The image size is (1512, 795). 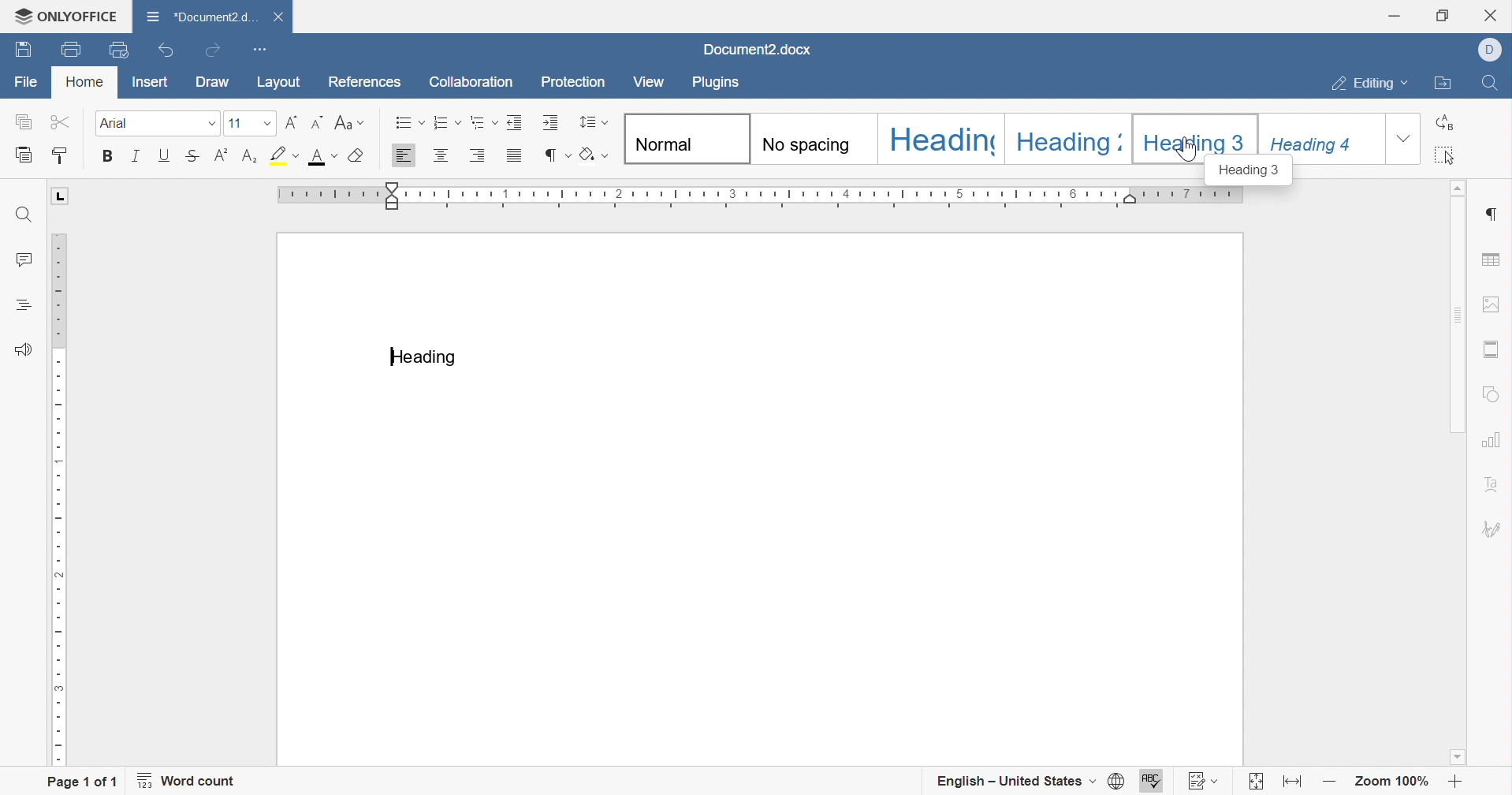 What do you see at coordinates (315, 123) in the screenshot?
I see `Decrement font size` at bounding box center [315, 123].